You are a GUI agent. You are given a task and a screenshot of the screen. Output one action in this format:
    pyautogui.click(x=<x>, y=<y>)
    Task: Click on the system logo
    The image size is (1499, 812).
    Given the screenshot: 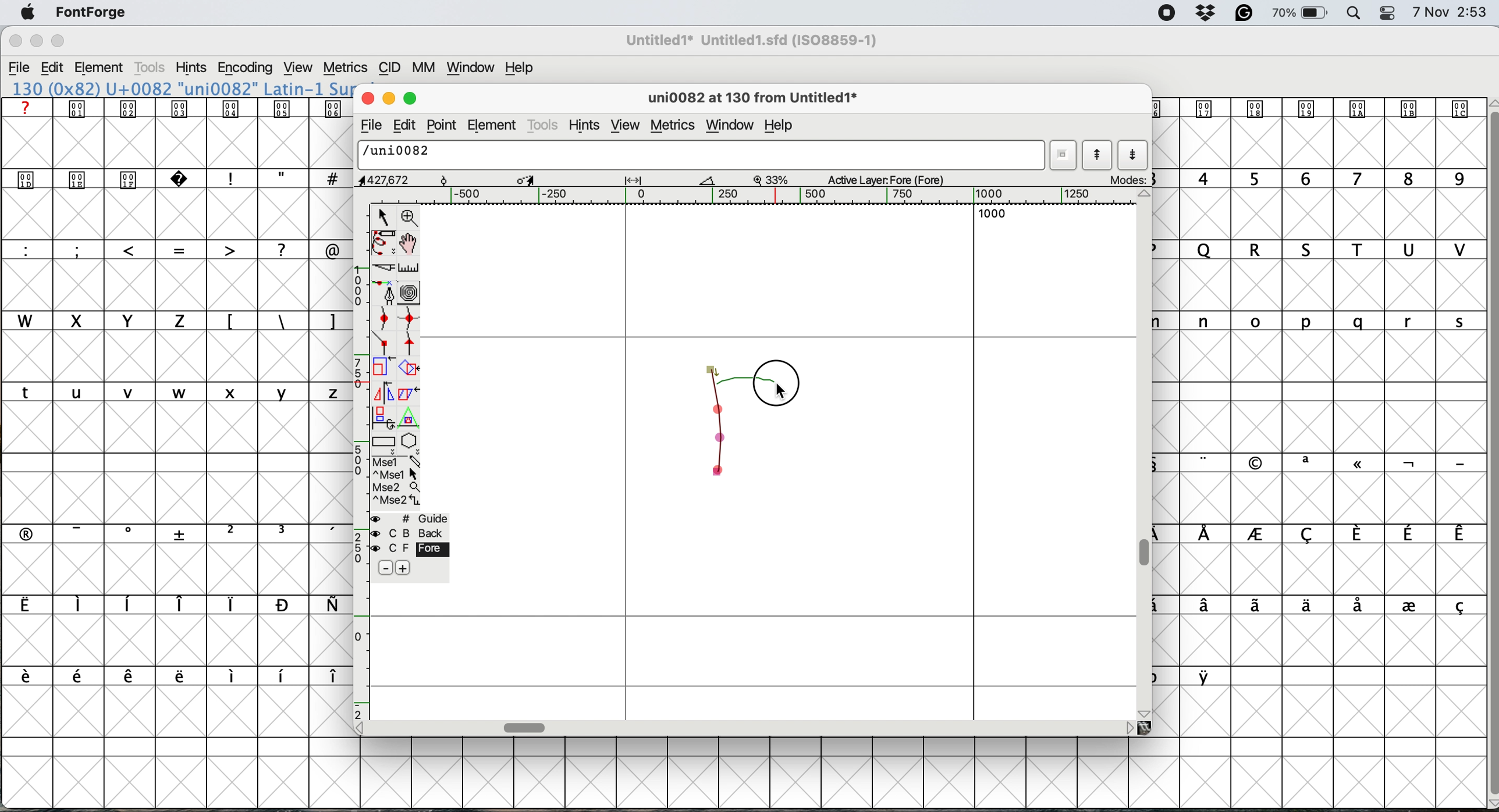 What is the action you would take?
    pyautogui.click(x=24, y=13)
    